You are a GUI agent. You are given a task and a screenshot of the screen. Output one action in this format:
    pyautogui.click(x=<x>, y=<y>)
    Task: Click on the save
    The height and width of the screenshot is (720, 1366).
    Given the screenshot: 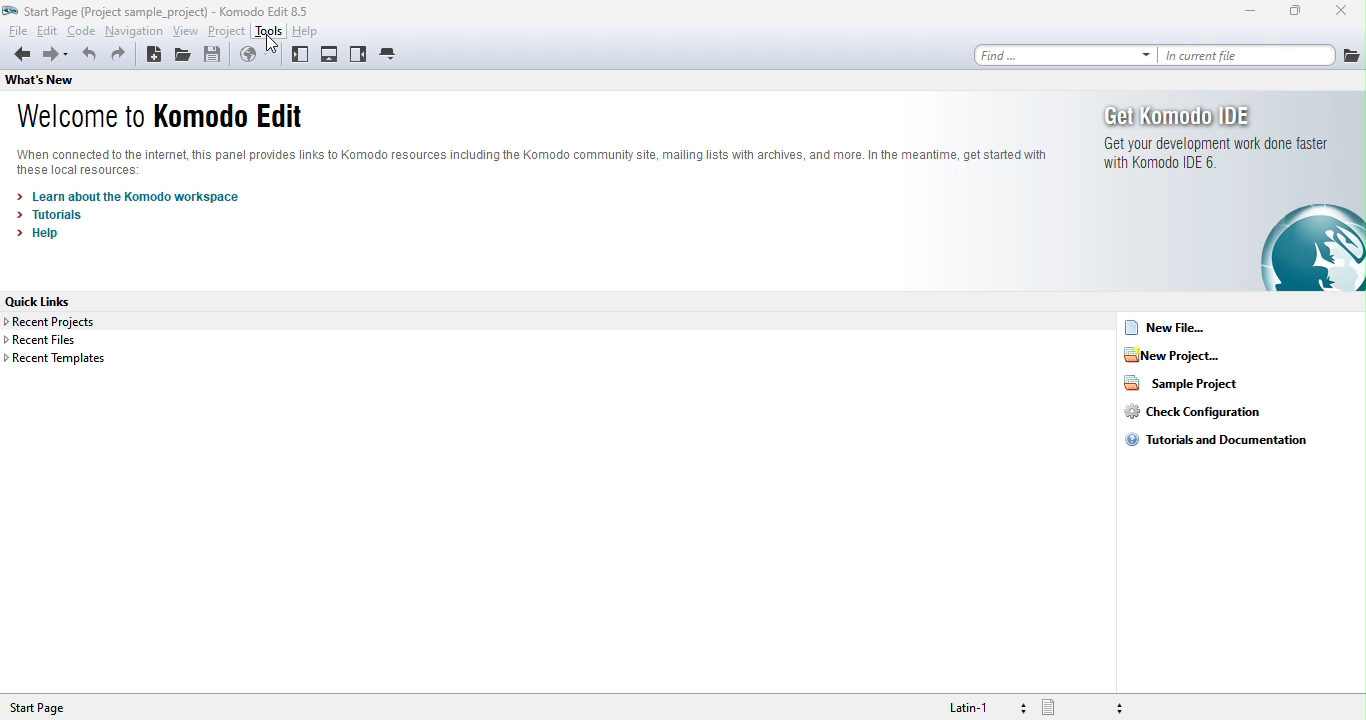 What is the action you would take?
    pyautogui.click(x=221, y=56)
    